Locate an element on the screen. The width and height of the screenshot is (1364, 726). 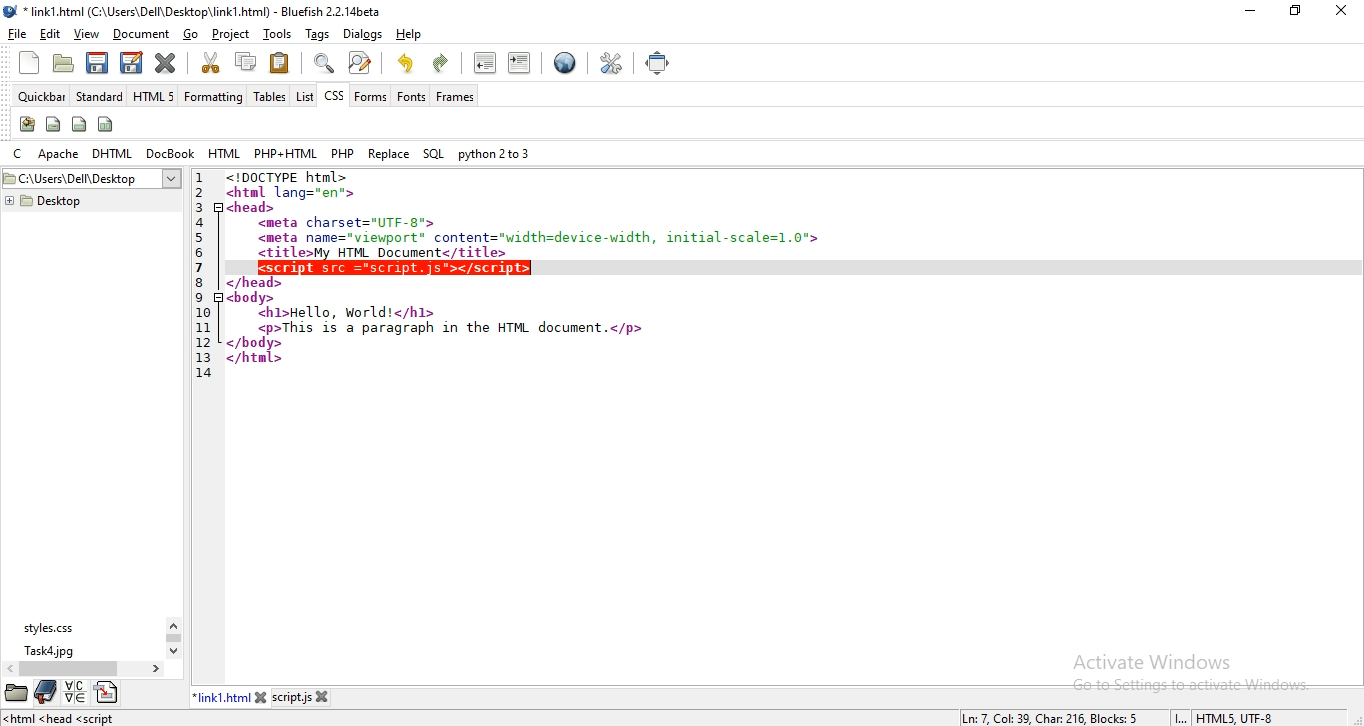
9 is located at coordinates (199, 298).